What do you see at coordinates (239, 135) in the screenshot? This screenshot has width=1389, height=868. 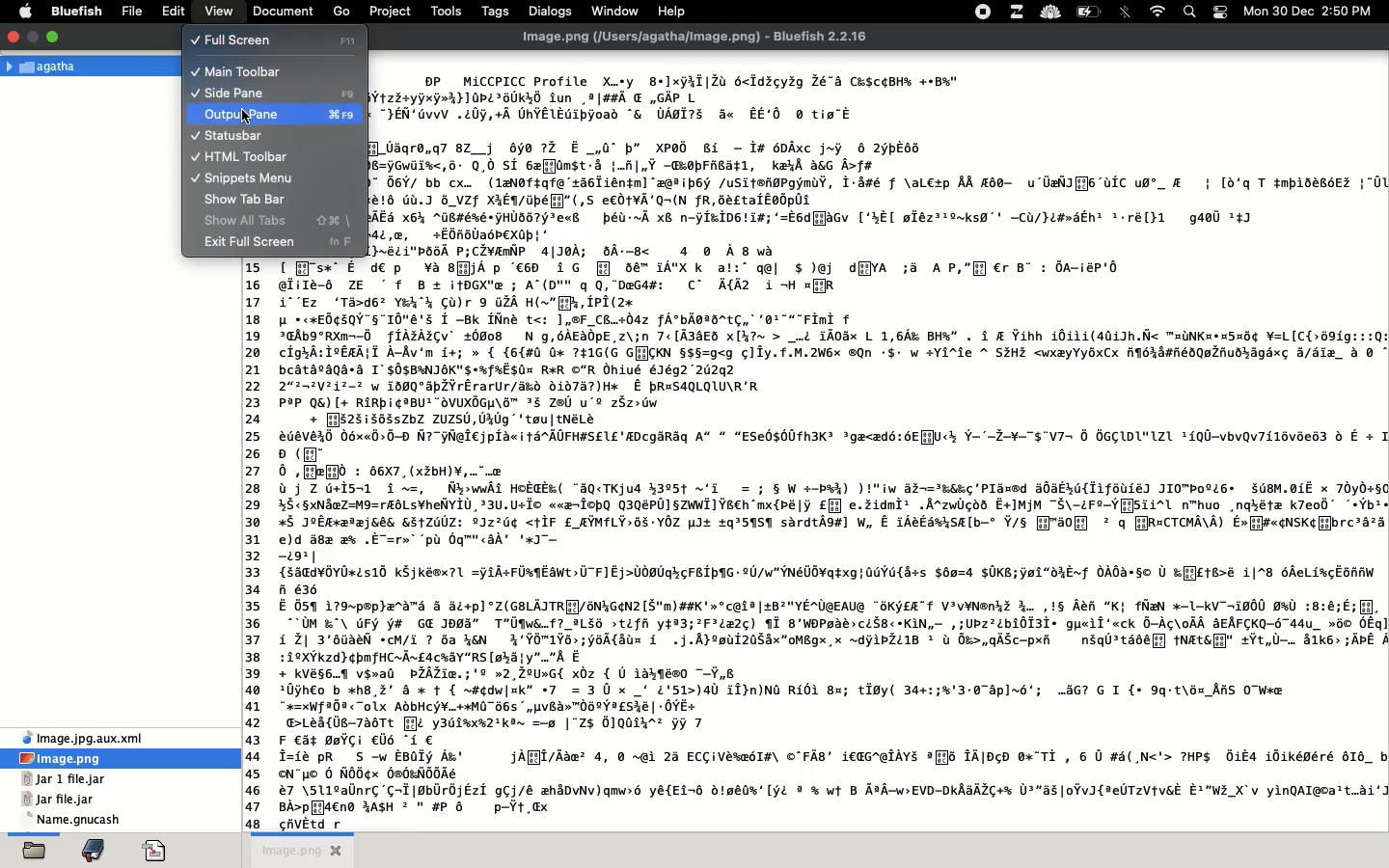 I see `statusbar` at bounding box center [239, 135].